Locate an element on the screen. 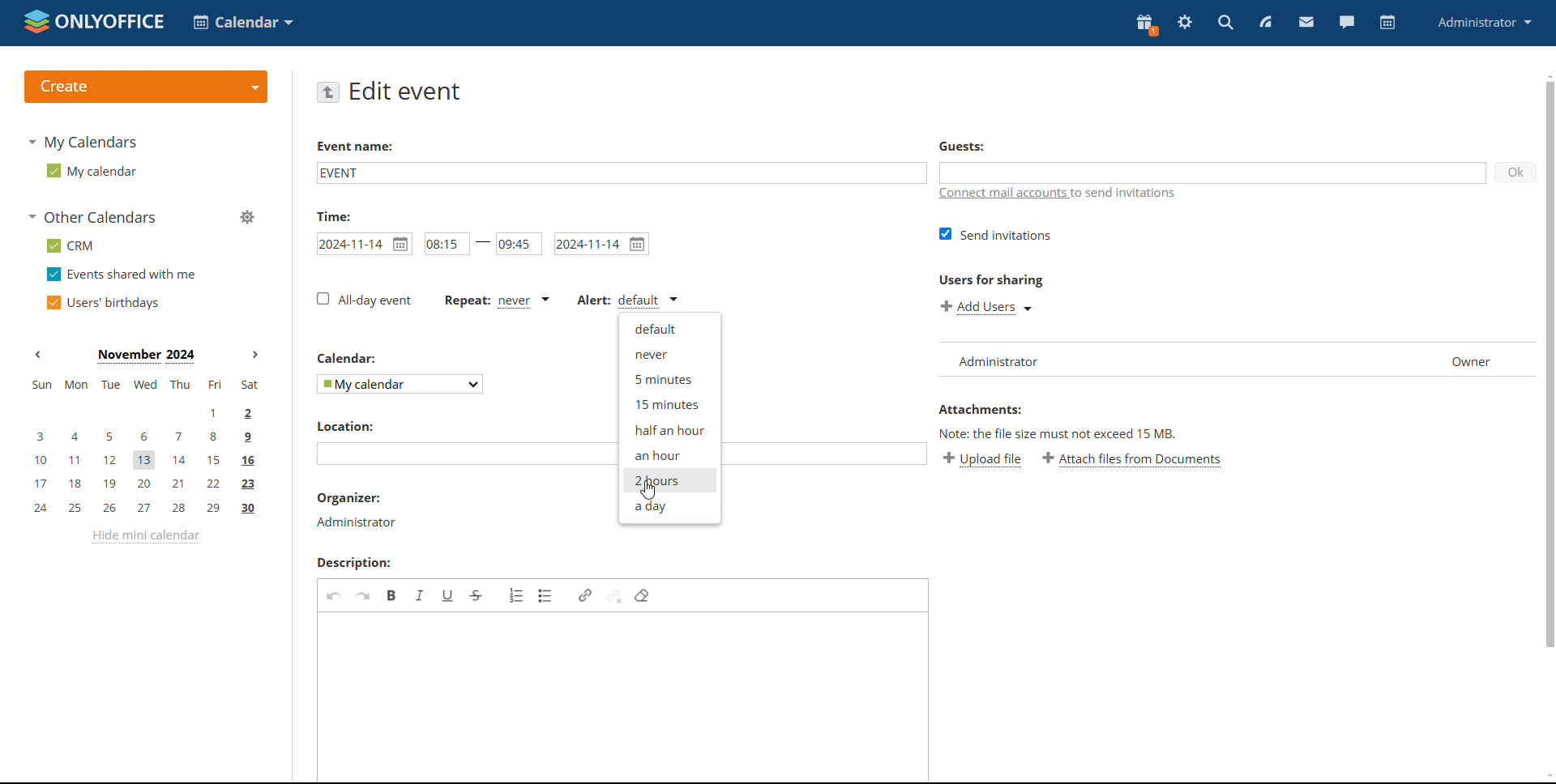 The width and height of the screenshot is (1556, 784). select calendar is located at coordinates (398, 384).